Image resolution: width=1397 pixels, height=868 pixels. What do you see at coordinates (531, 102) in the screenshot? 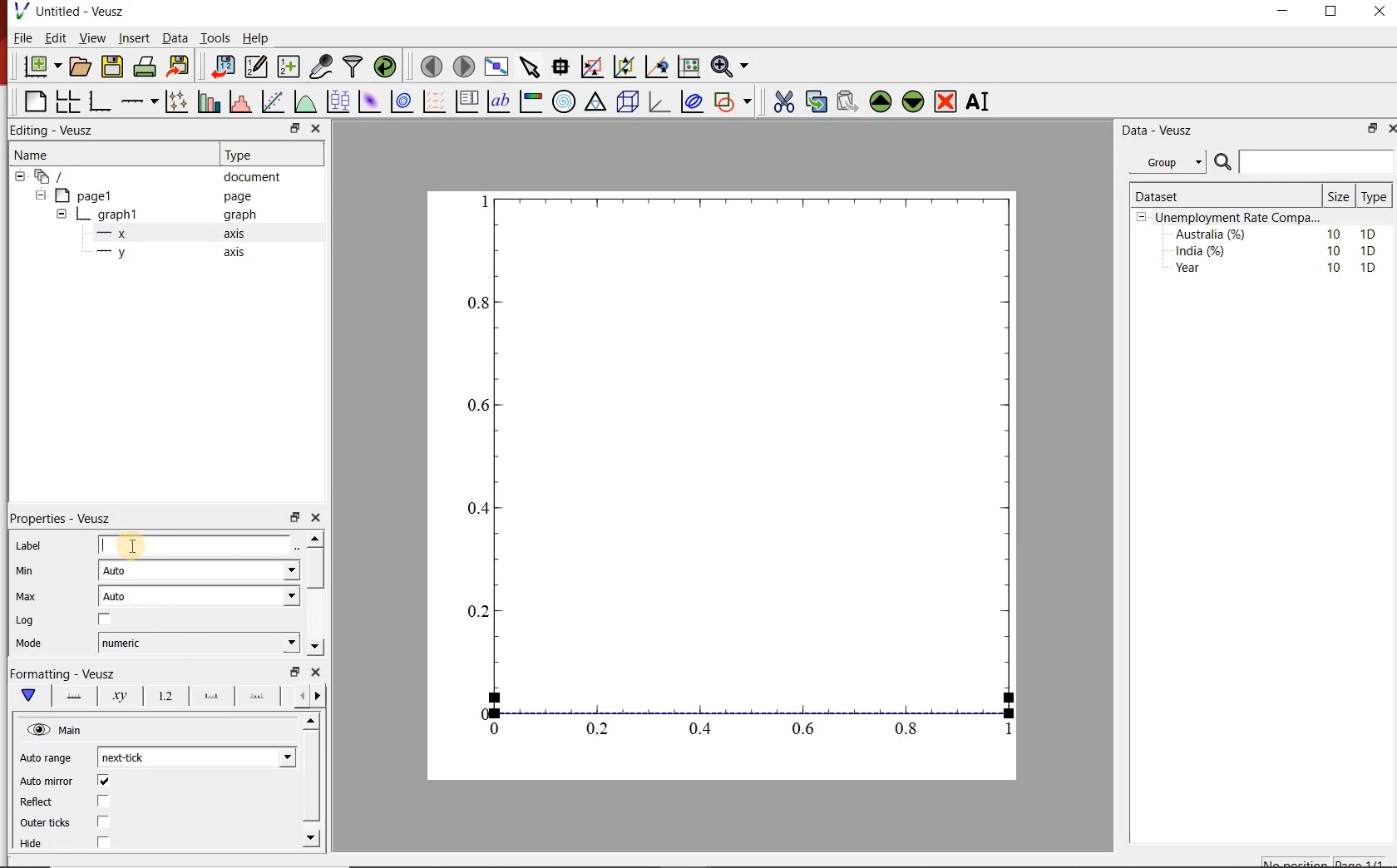
I see `image color bar` at bounding box center [531, 102].